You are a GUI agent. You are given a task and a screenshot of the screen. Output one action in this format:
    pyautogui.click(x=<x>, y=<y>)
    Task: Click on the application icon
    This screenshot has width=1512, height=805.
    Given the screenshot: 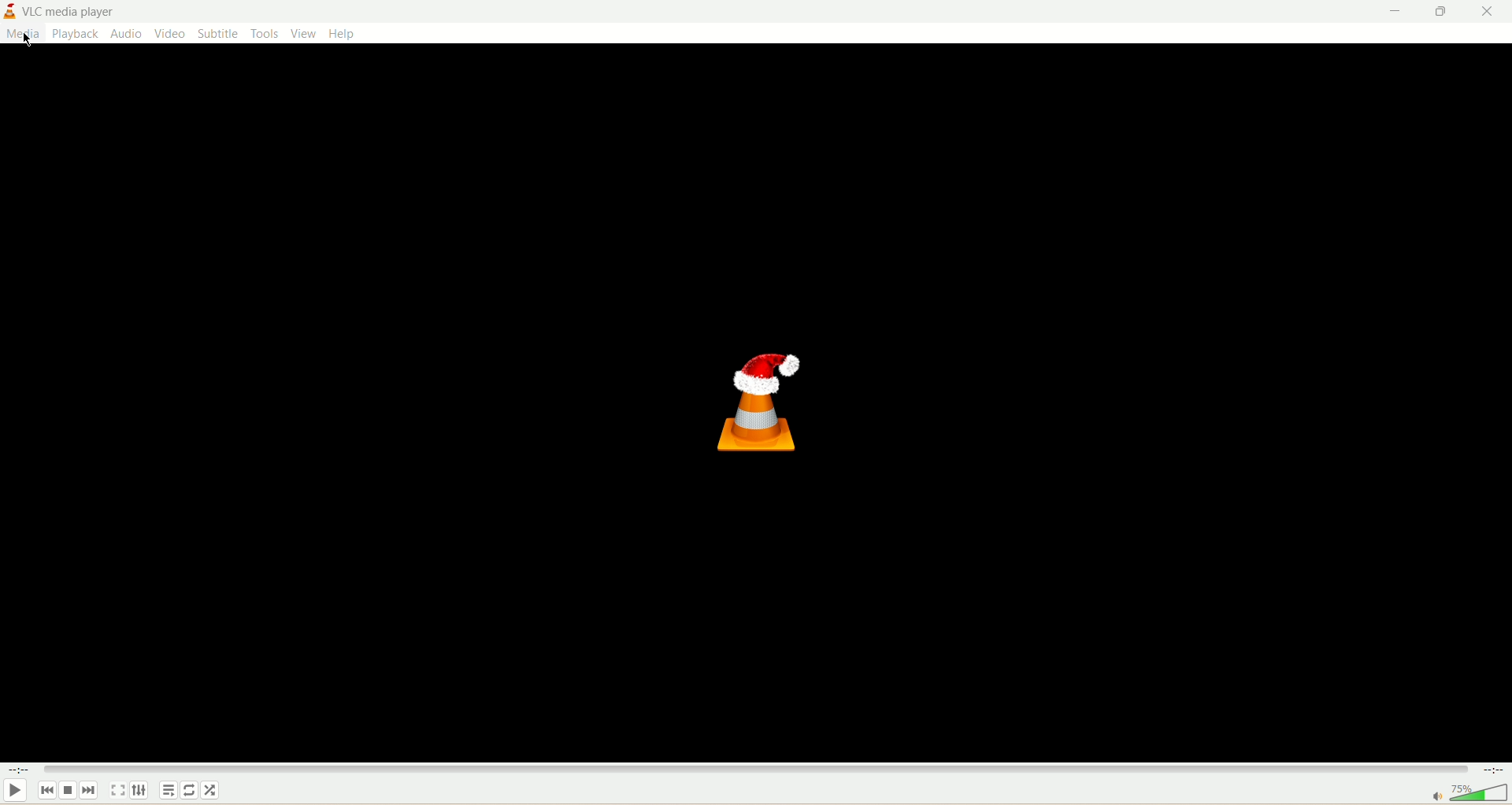 What is the action you would take?
    pyautogui.click(x=10, y=10)
    